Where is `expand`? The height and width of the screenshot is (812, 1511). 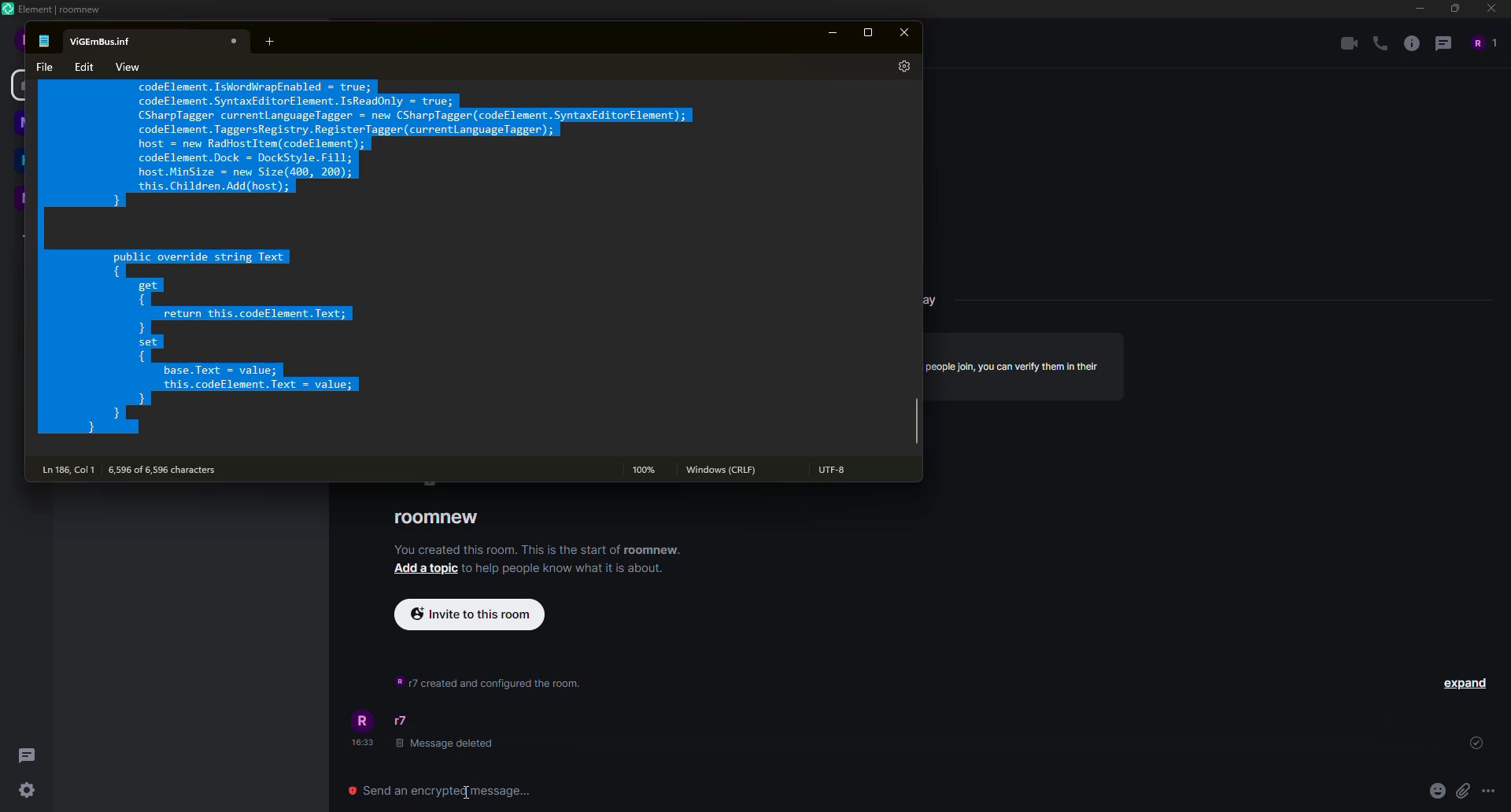 expand is located at coordinates (1465, 682).